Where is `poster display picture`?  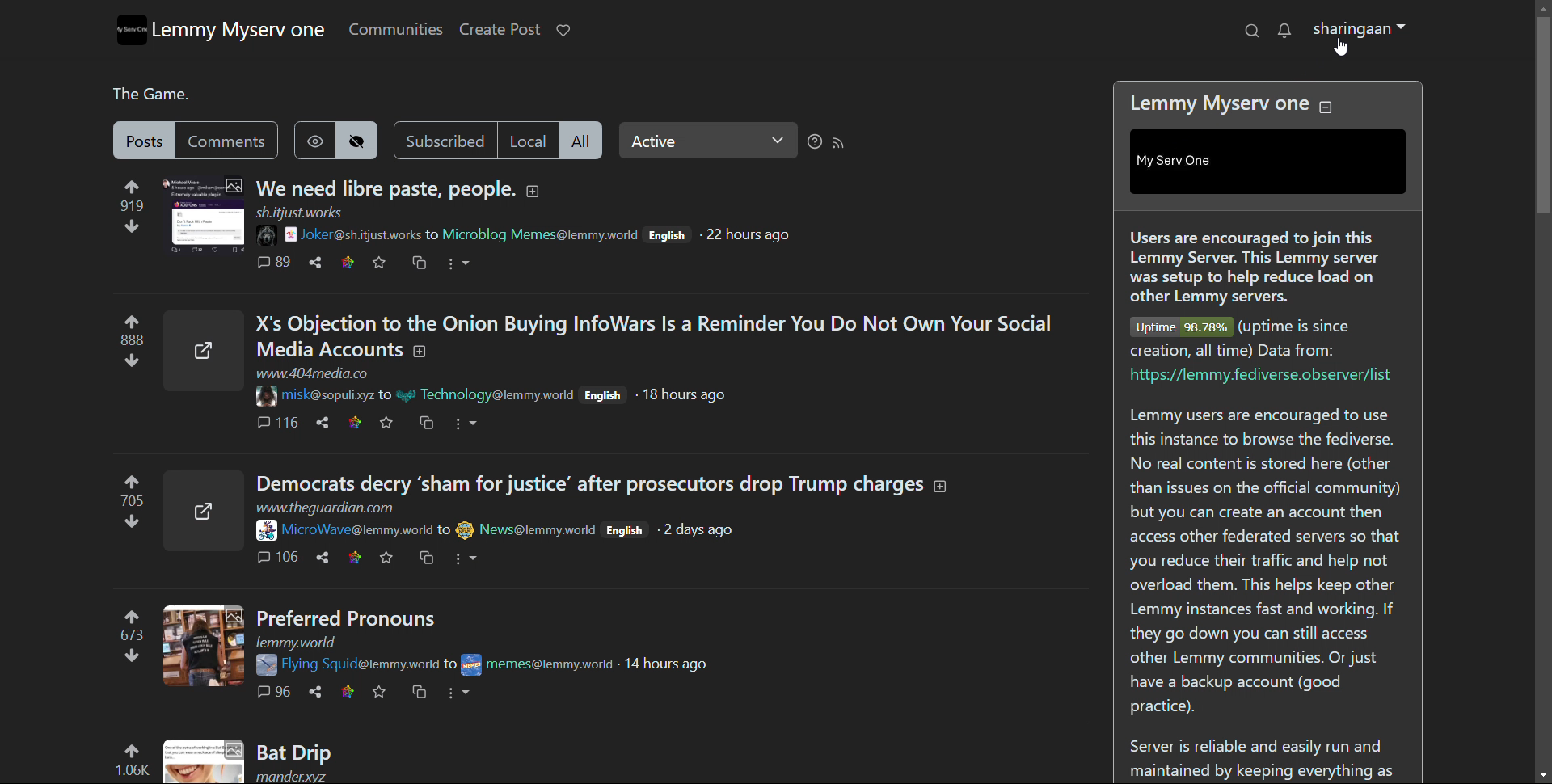 poster display picture is located at coordinates (263, 397).